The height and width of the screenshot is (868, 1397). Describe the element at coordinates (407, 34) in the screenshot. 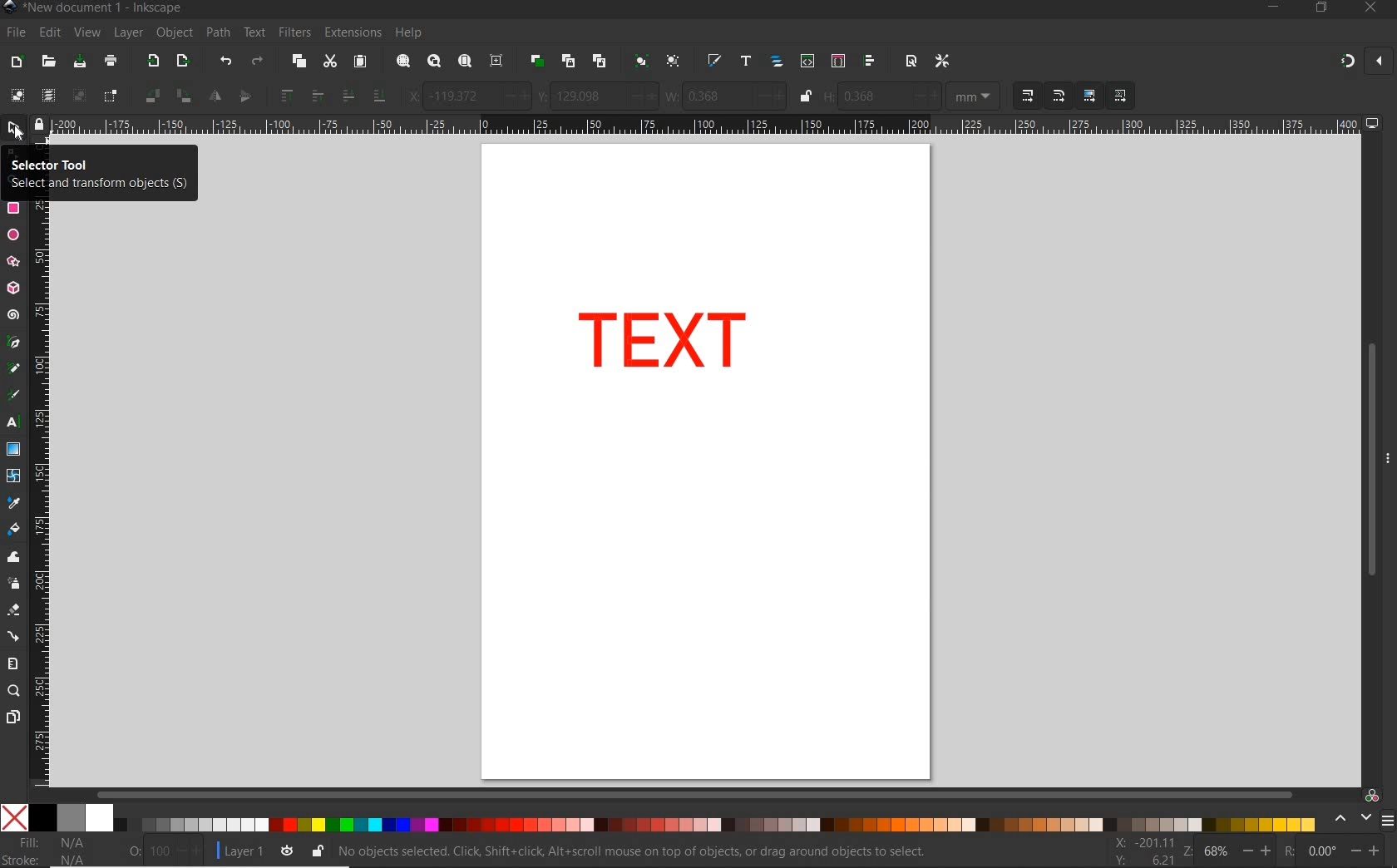

I see `HELP` at that location.